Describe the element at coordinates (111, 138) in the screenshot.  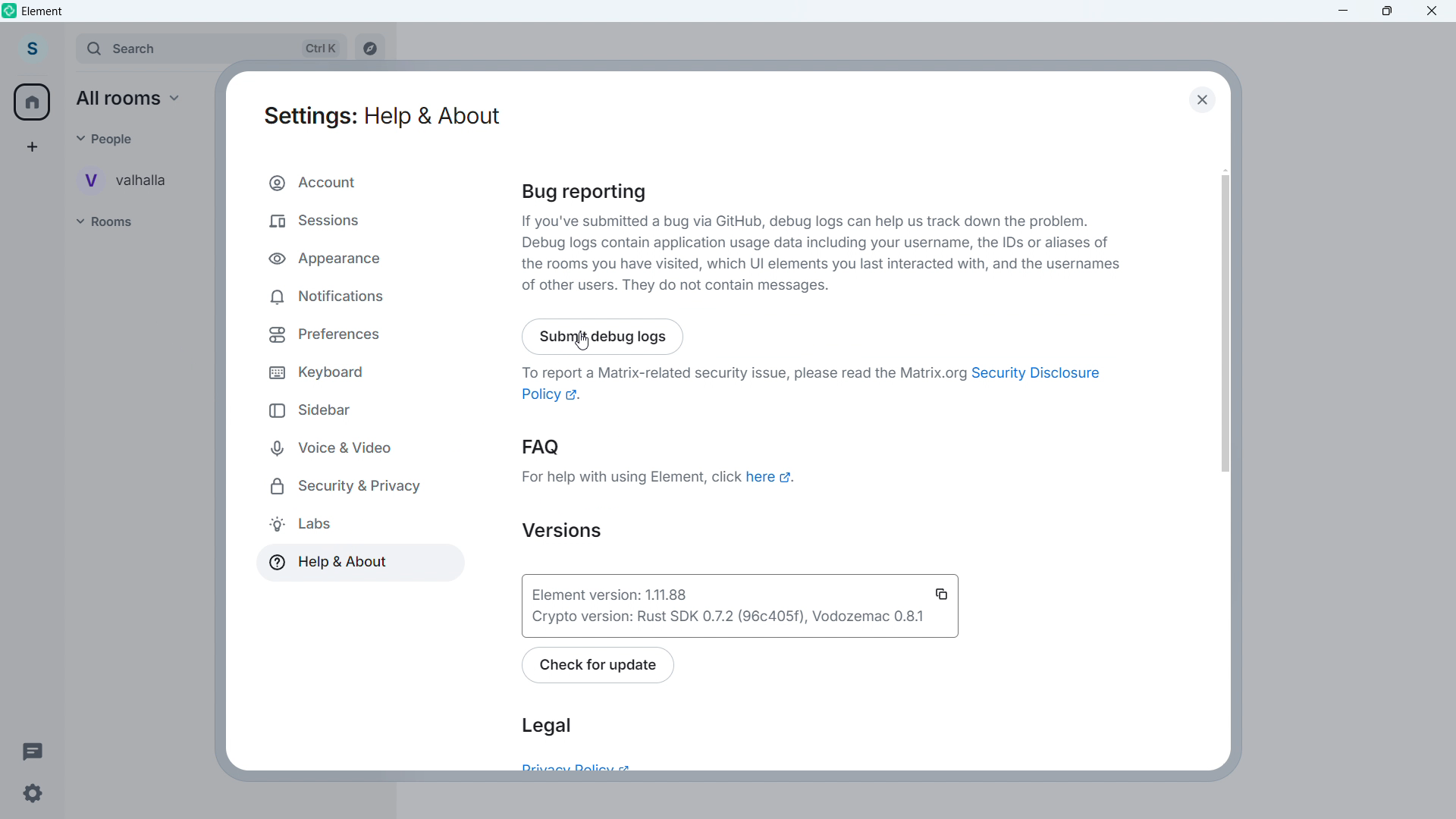
I see `` at that location.